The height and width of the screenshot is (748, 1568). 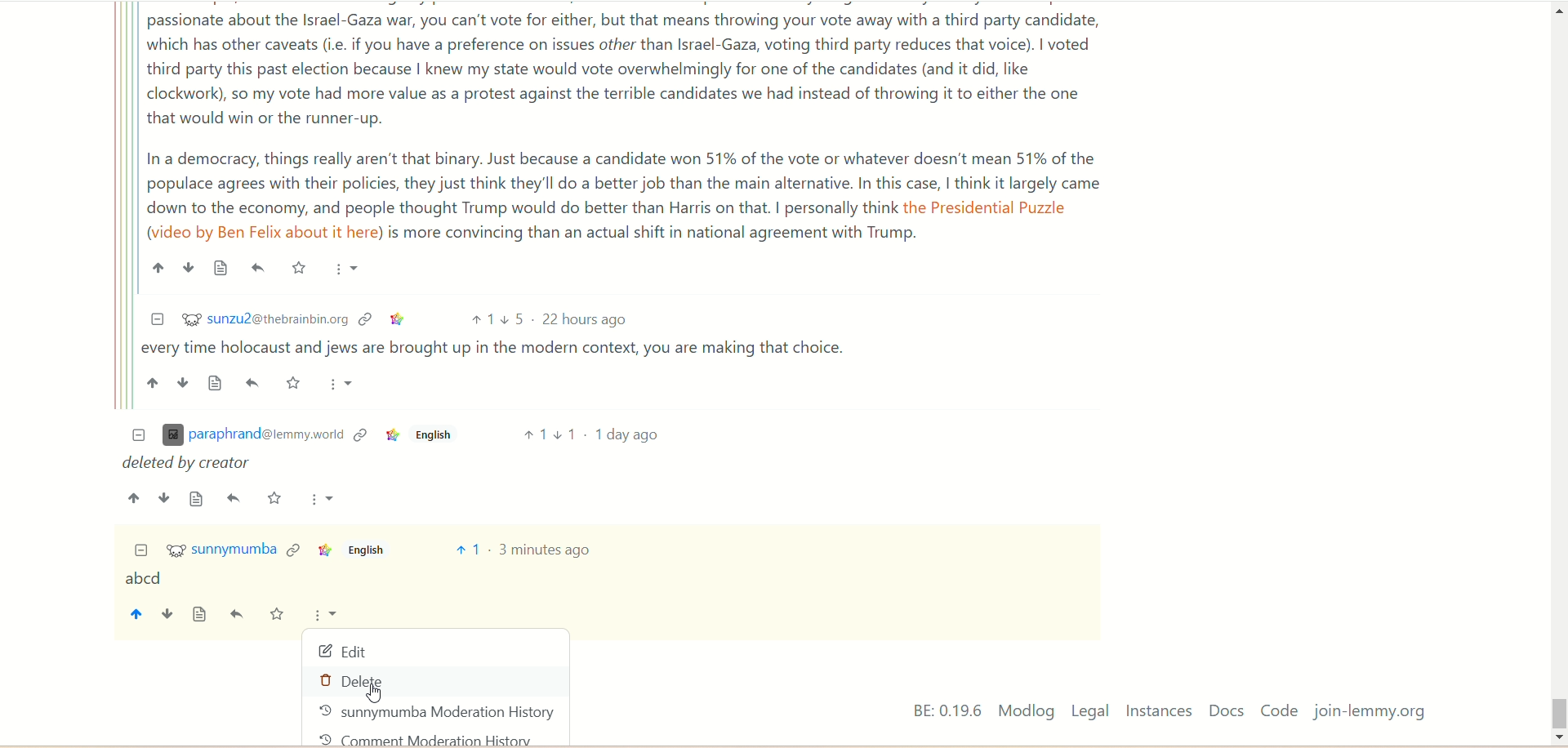 What do you see at coordinates (197, 499) in the screenshot?
I see `Source` at bounding box center [197, 499].